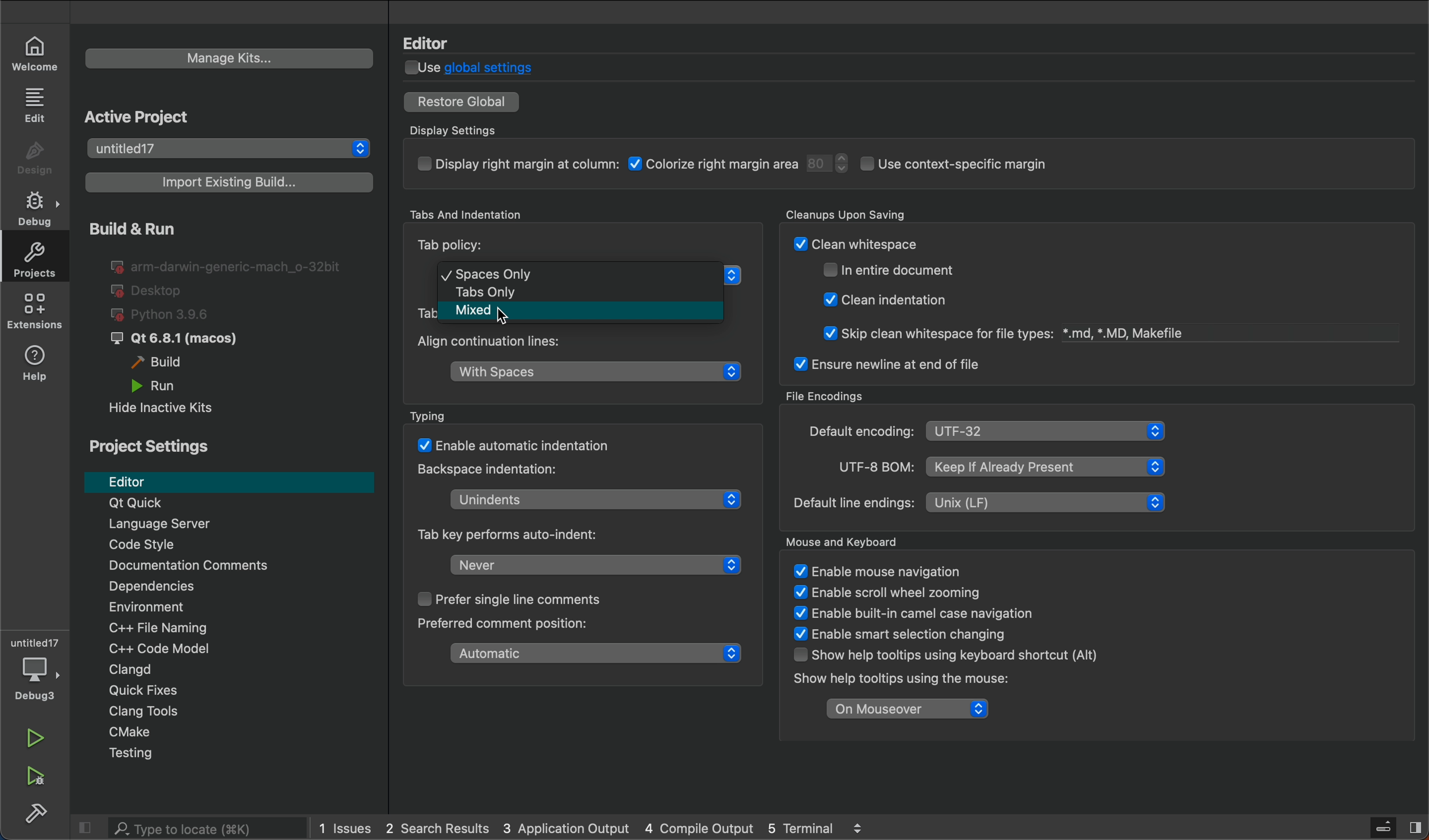 The width and height of the screenshot is (1429, 840). What do you see at coordinates (417, 313) in the screenshot?
I see `Tab` at bounding box center [417, 313].